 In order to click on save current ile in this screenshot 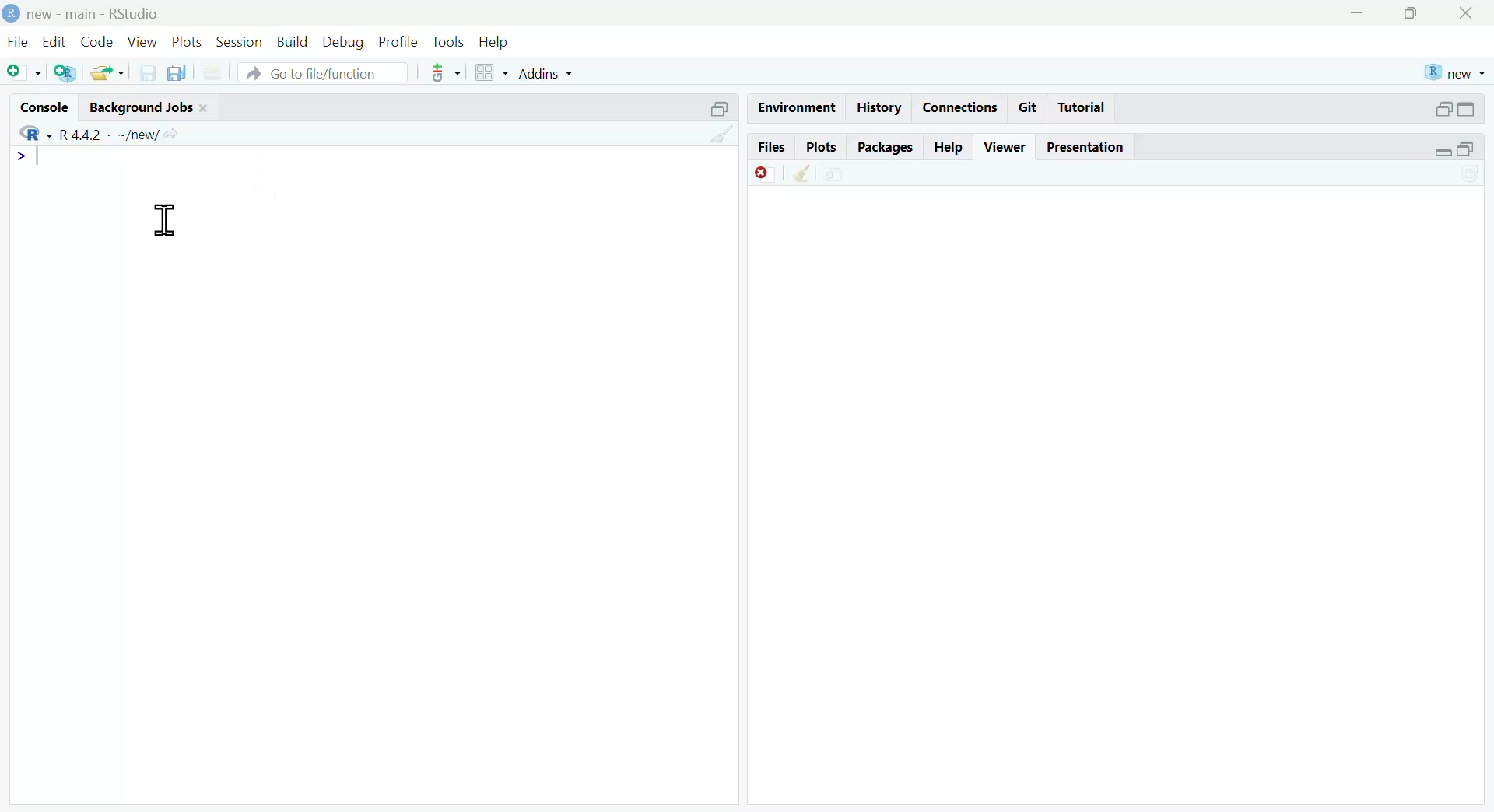, I will do `click(142, 72)`.